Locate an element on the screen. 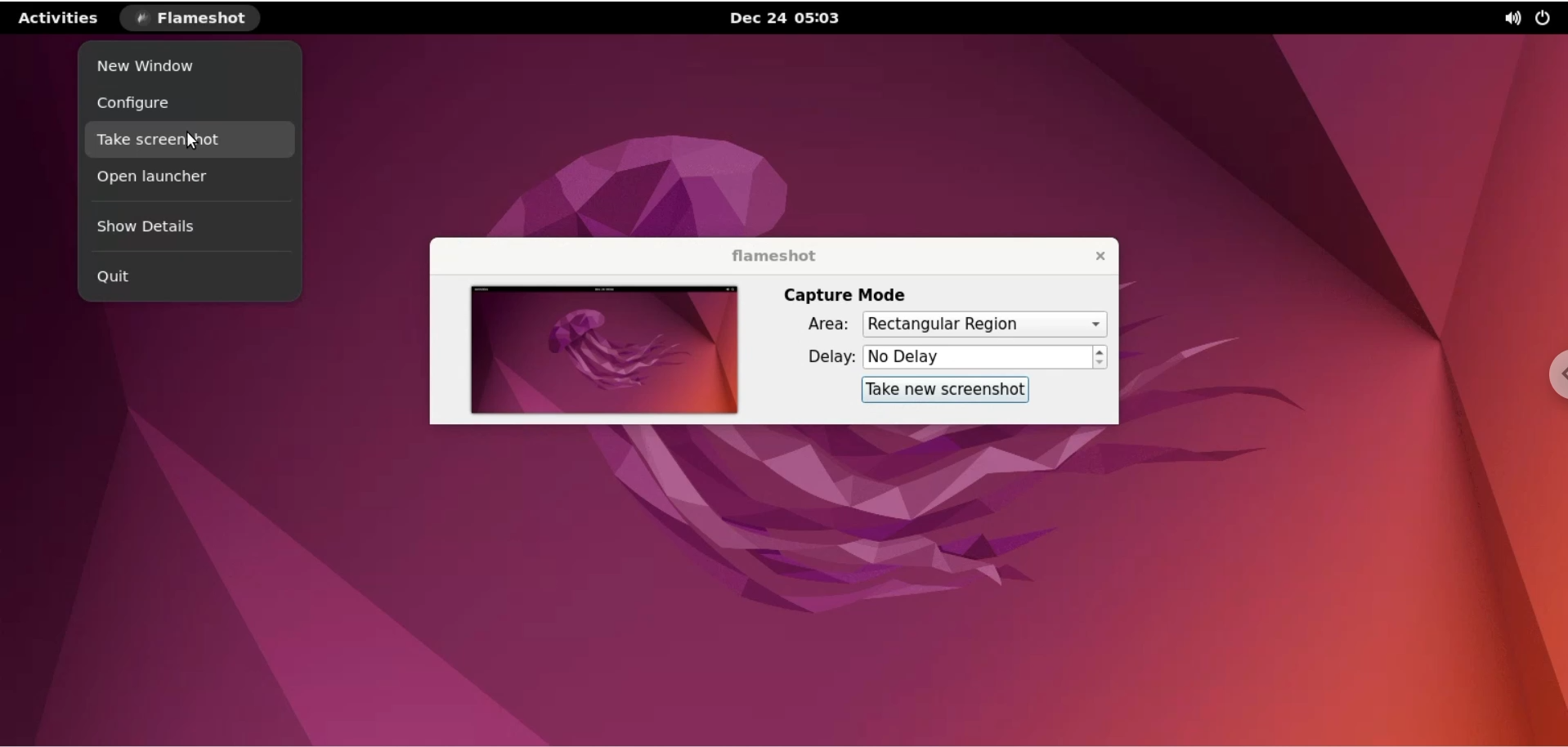 The image size is (1568, 747). open launcher is located at coordinates (183, 180).